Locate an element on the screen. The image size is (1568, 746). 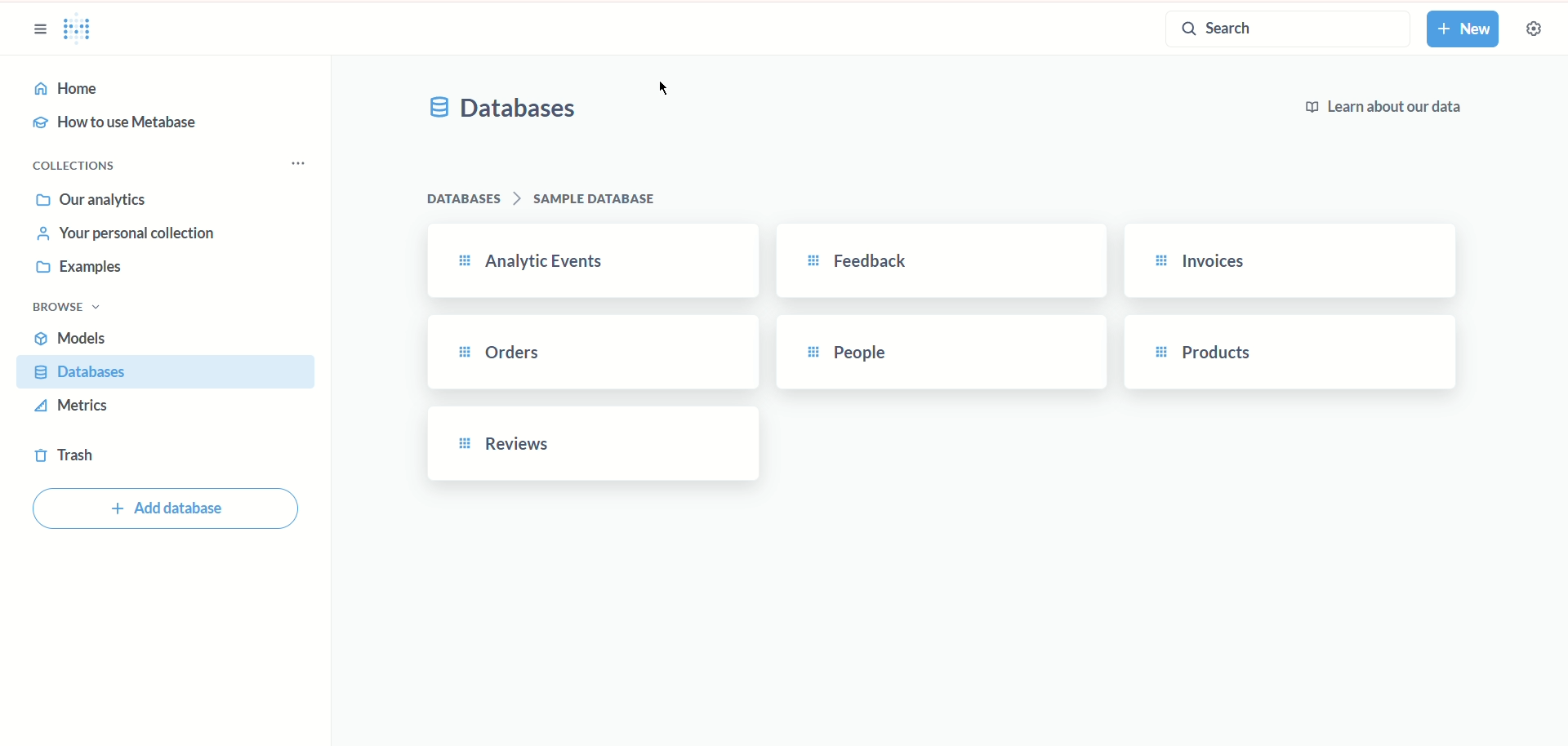
reviews is located at coordinates (595, 443).